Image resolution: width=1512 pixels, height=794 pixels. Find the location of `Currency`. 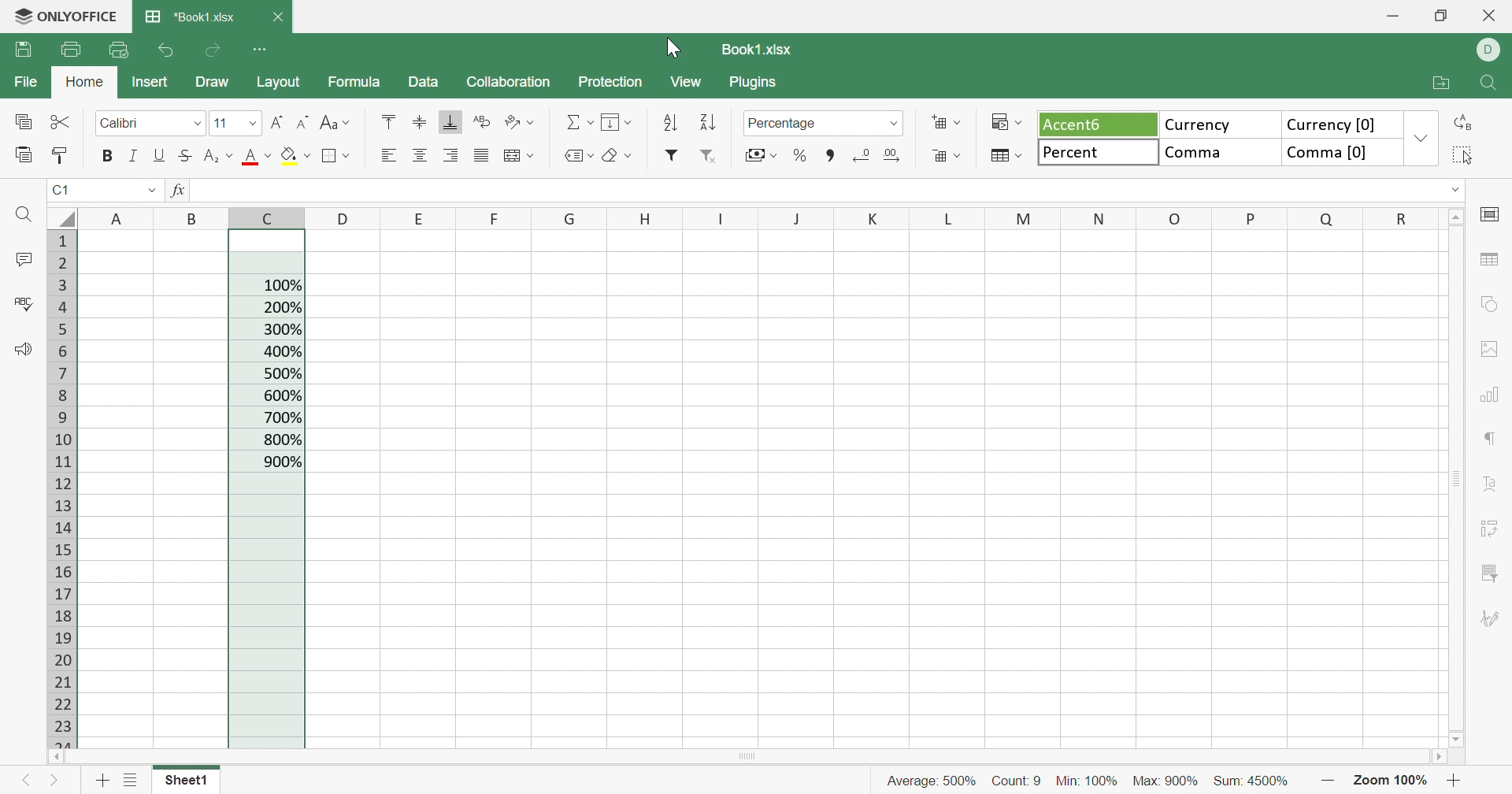

Currency is located at coordinates (1217, 123).